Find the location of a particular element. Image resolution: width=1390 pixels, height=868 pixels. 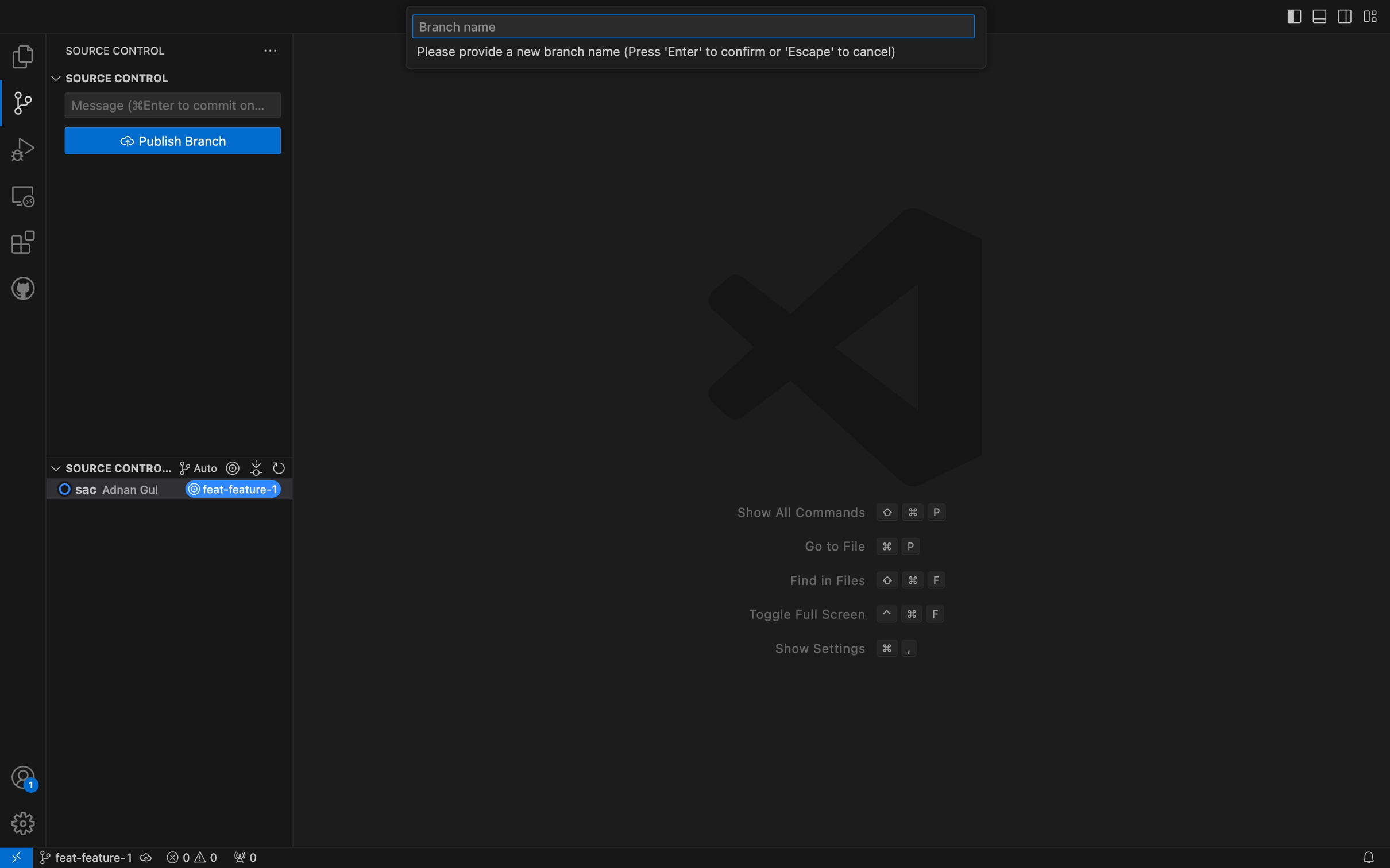

Up is located at coordinates (887, 581).